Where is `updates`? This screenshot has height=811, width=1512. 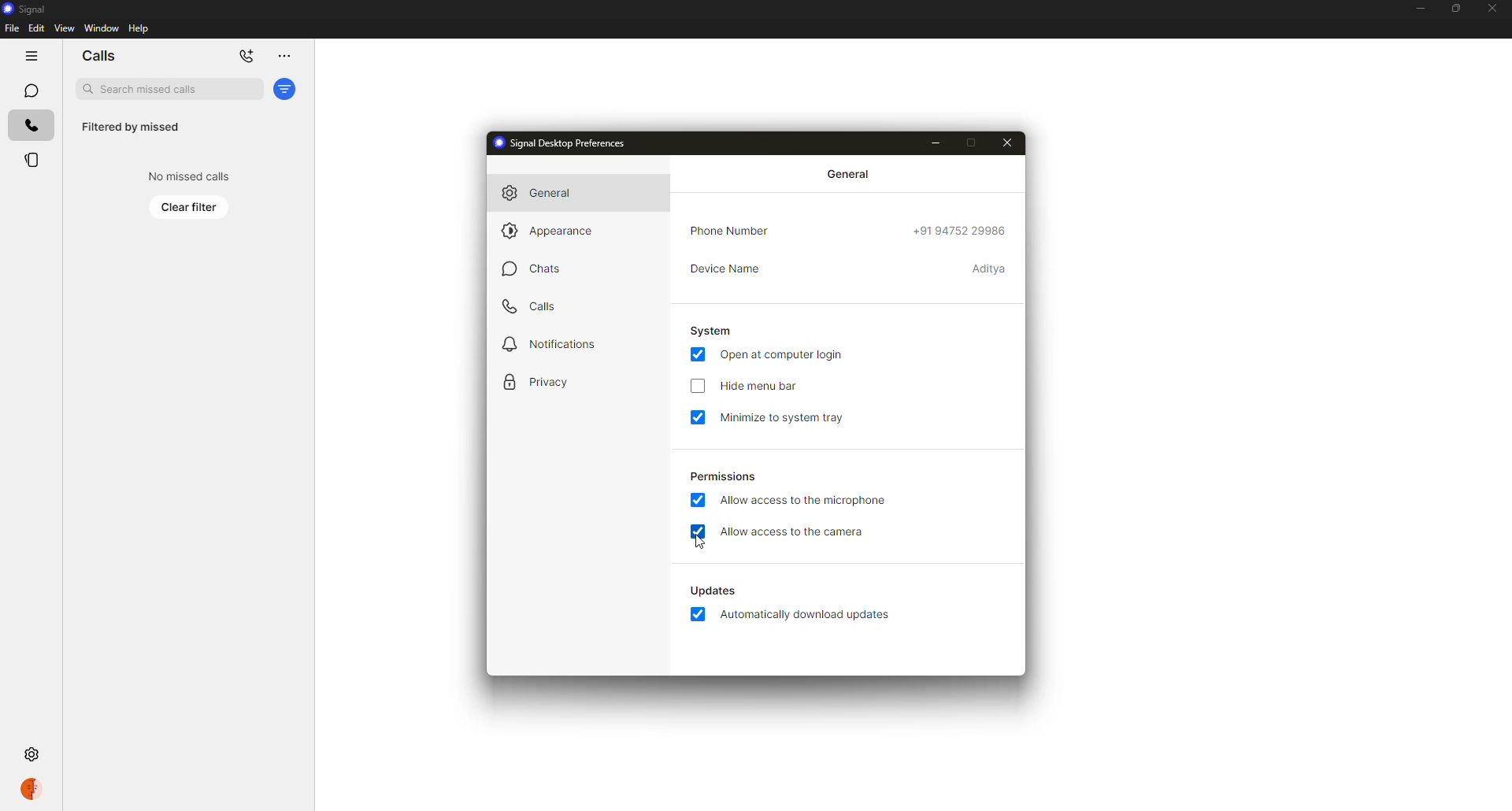
updates is located at coordinates (712, 589).